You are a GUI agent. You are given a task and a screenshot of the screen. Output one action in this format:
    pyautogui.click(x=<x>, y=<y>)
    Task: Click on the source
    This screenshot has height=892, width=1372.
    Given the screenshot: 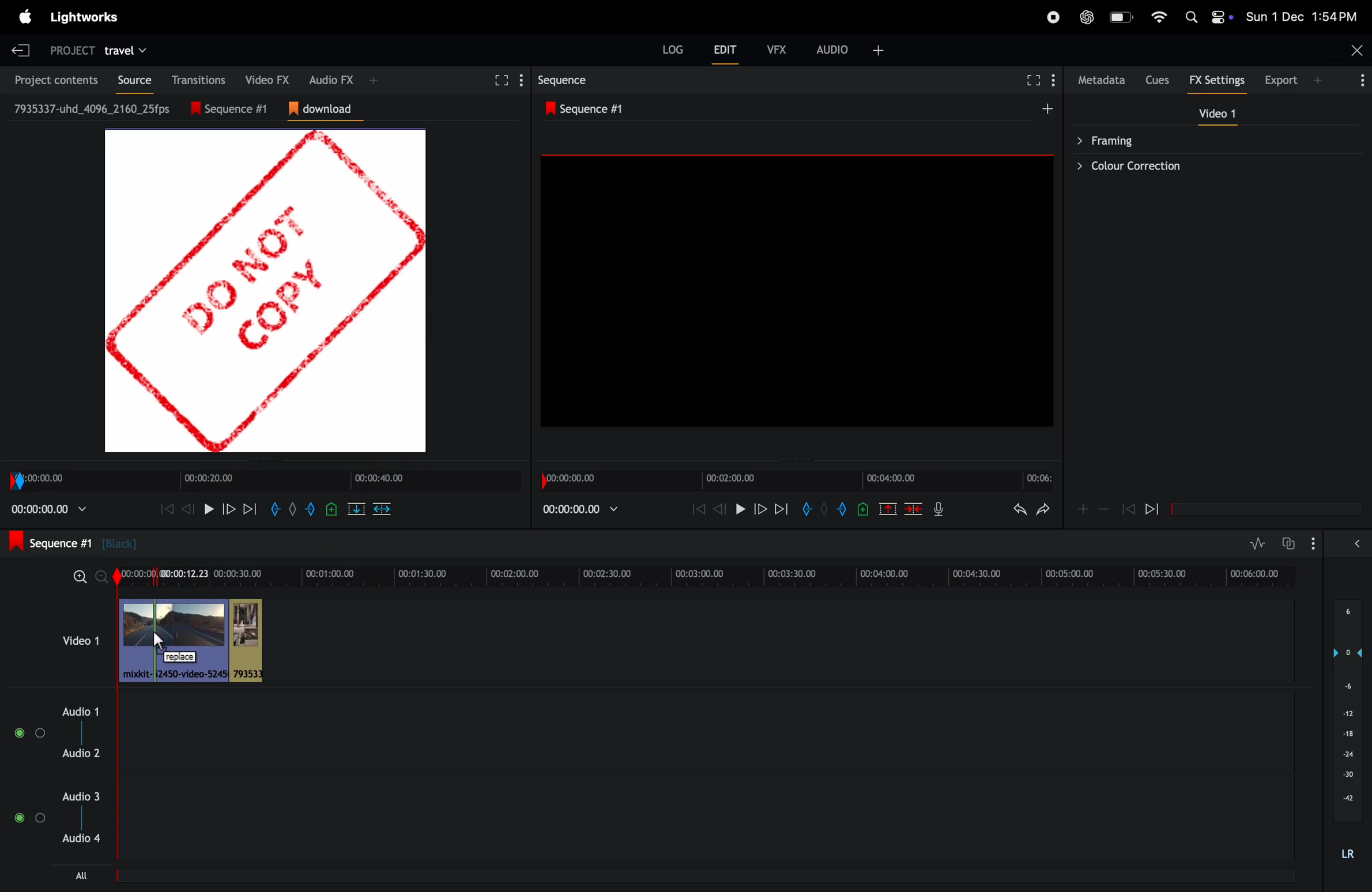 What is the action you would take?
    pyautogui.click(x=130, y=80)
    